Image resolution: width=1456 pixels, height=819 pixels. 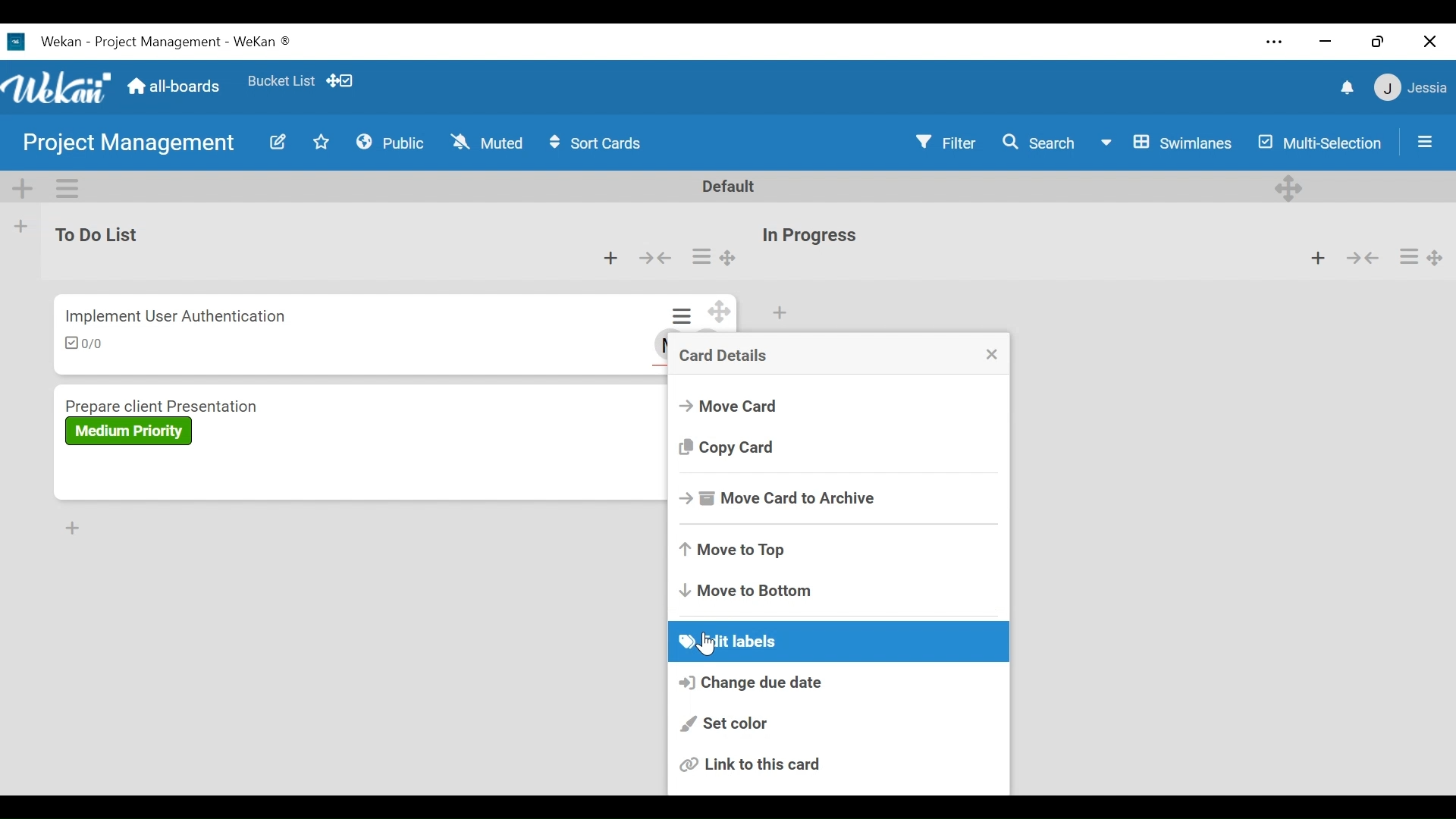 I want to click on Add card to top of the list, so click(x=1318, y=257).